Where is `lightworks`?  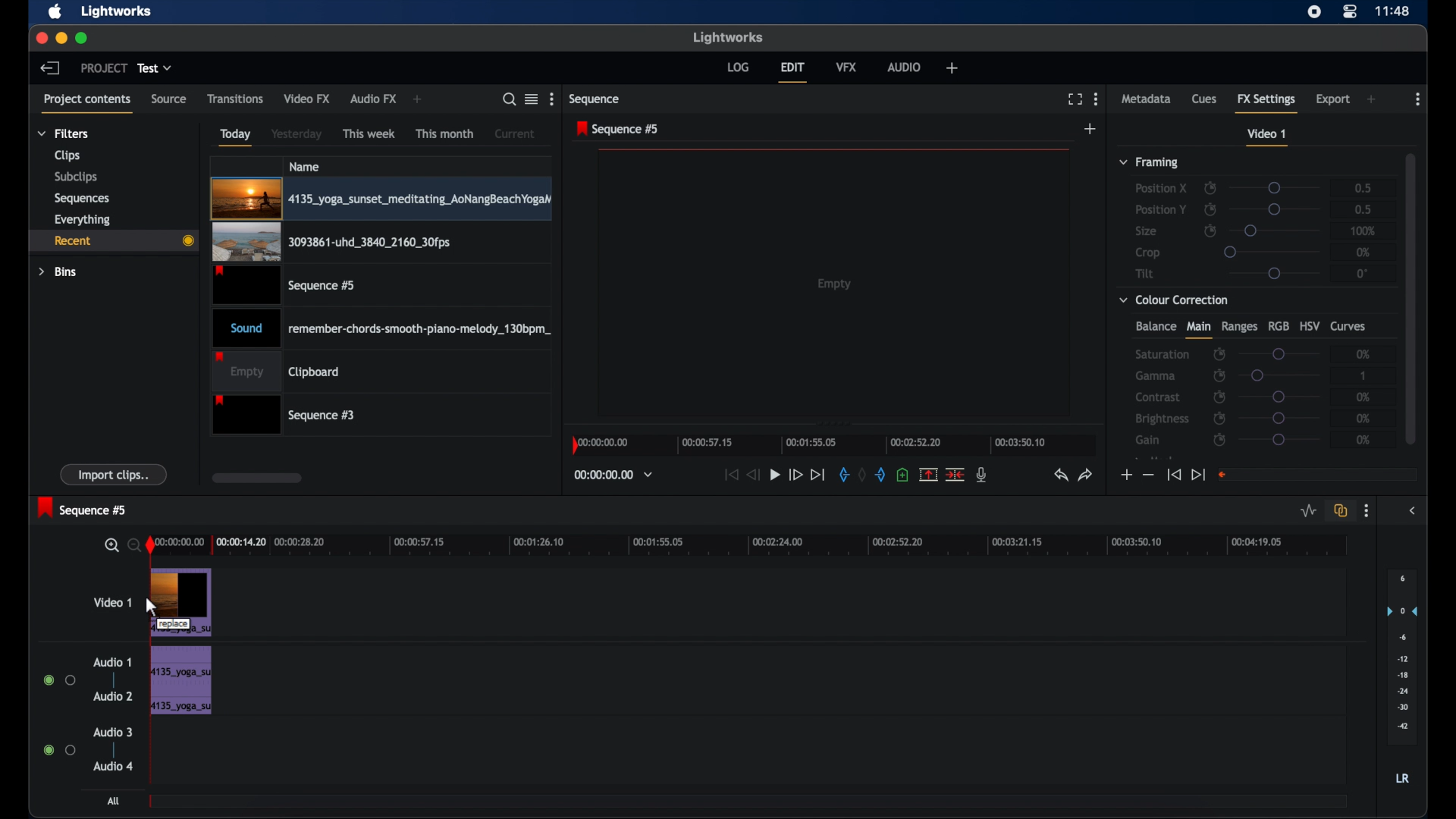
lightworks is located at coordinates (728, 37).